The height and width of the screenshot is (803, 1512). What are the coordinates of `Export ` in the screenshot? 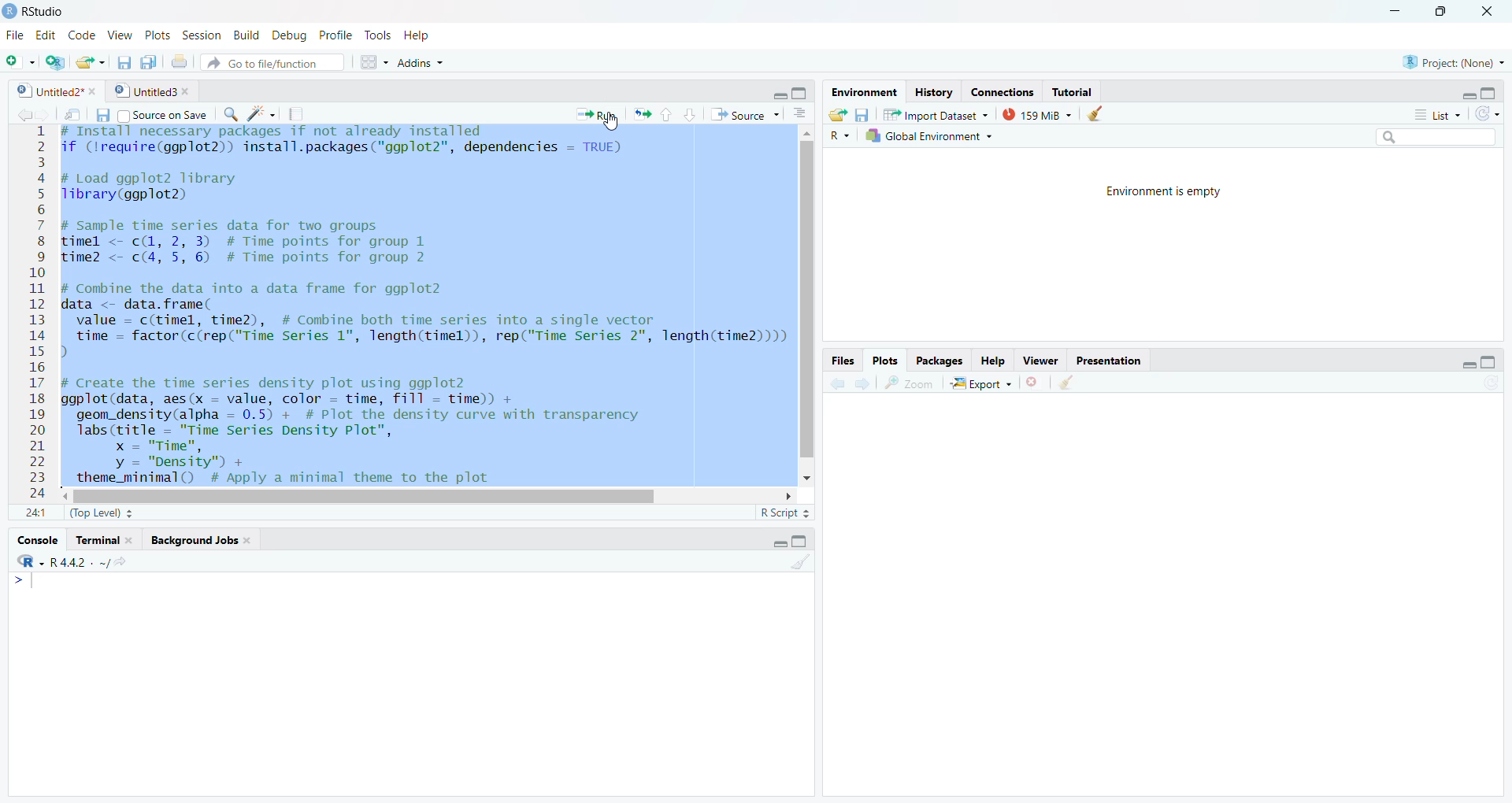 It's located at (981, 383).